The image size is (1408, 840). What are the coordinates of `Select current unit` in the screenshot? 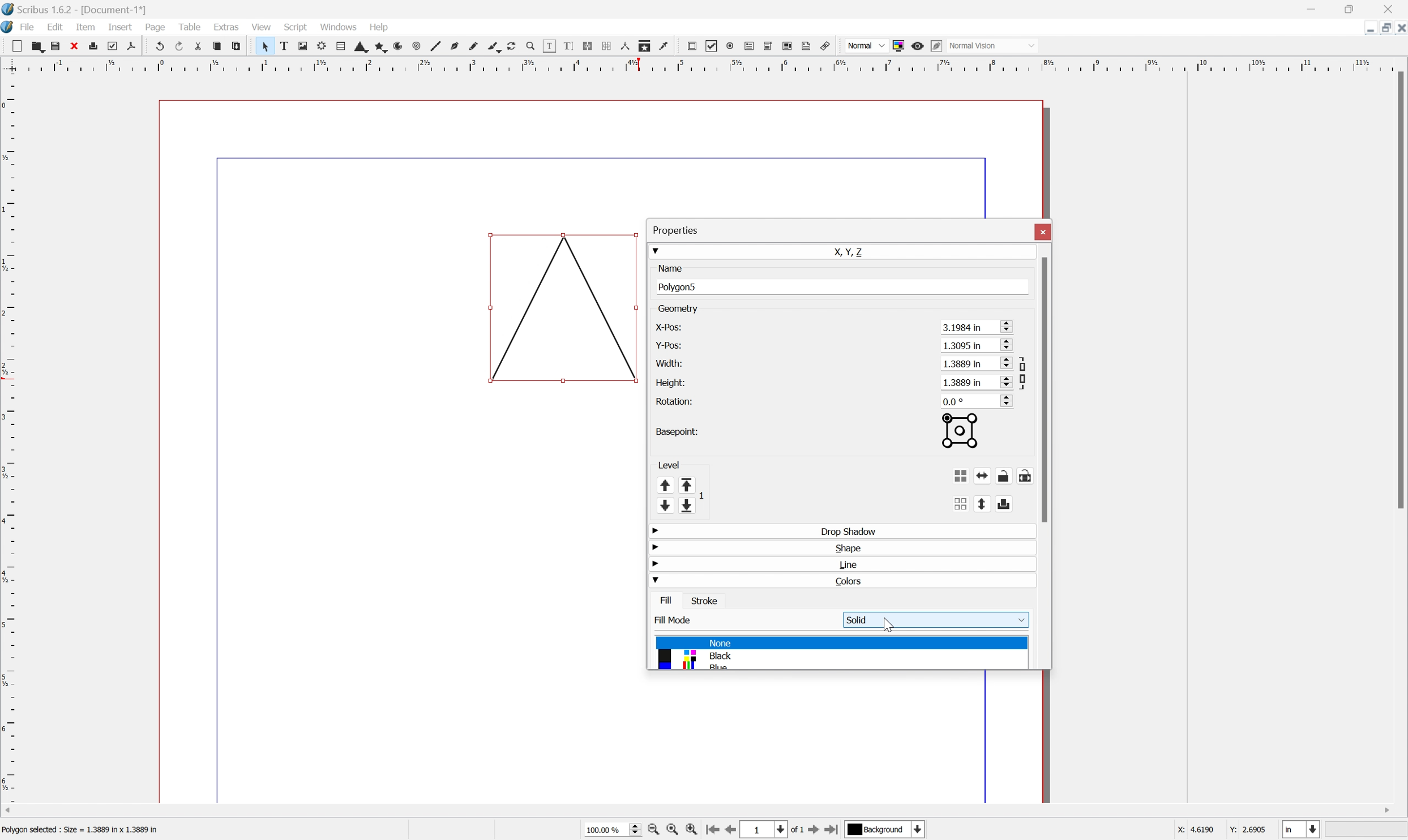 It's located at (1303, 829).